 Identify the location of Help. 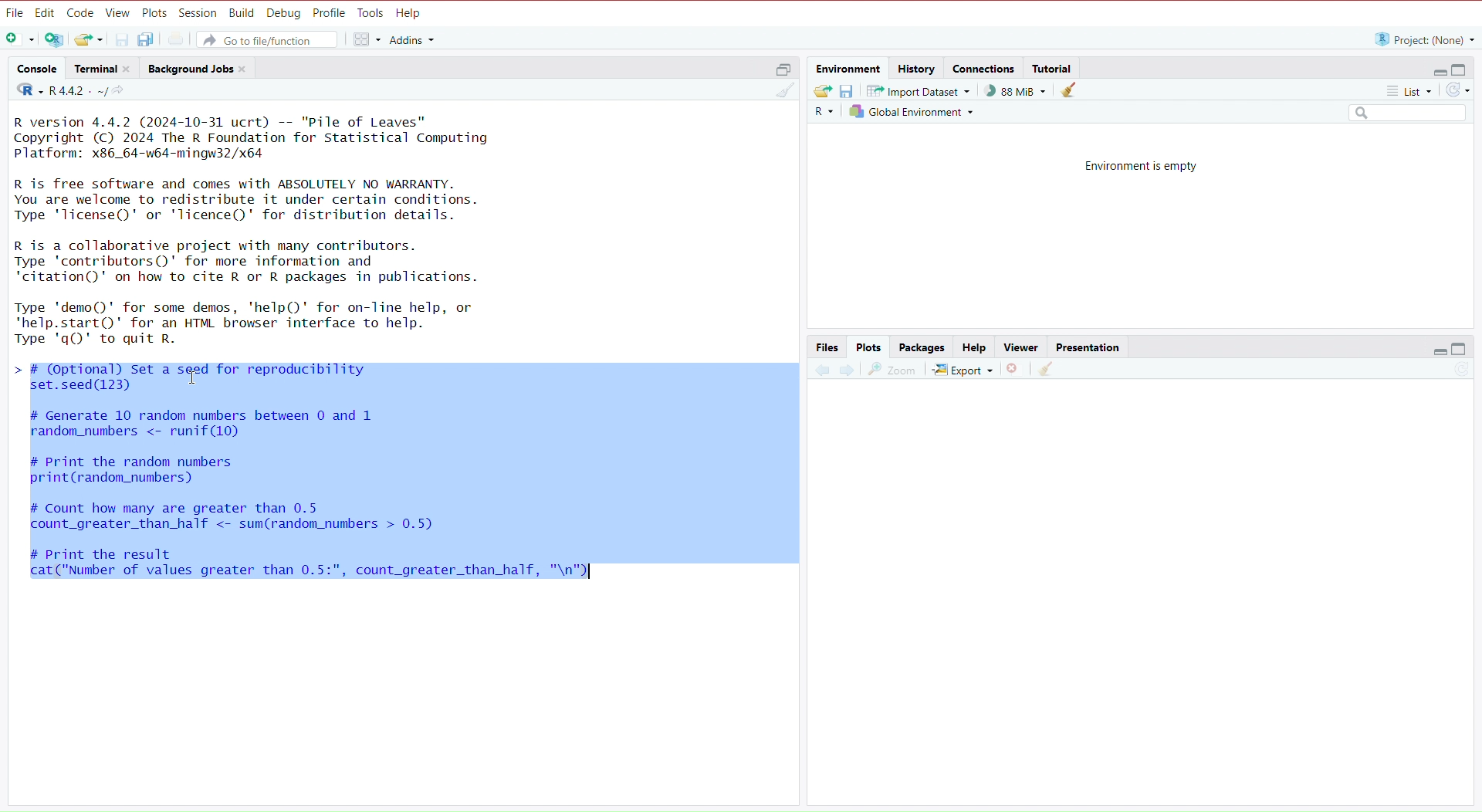
(409, 12).